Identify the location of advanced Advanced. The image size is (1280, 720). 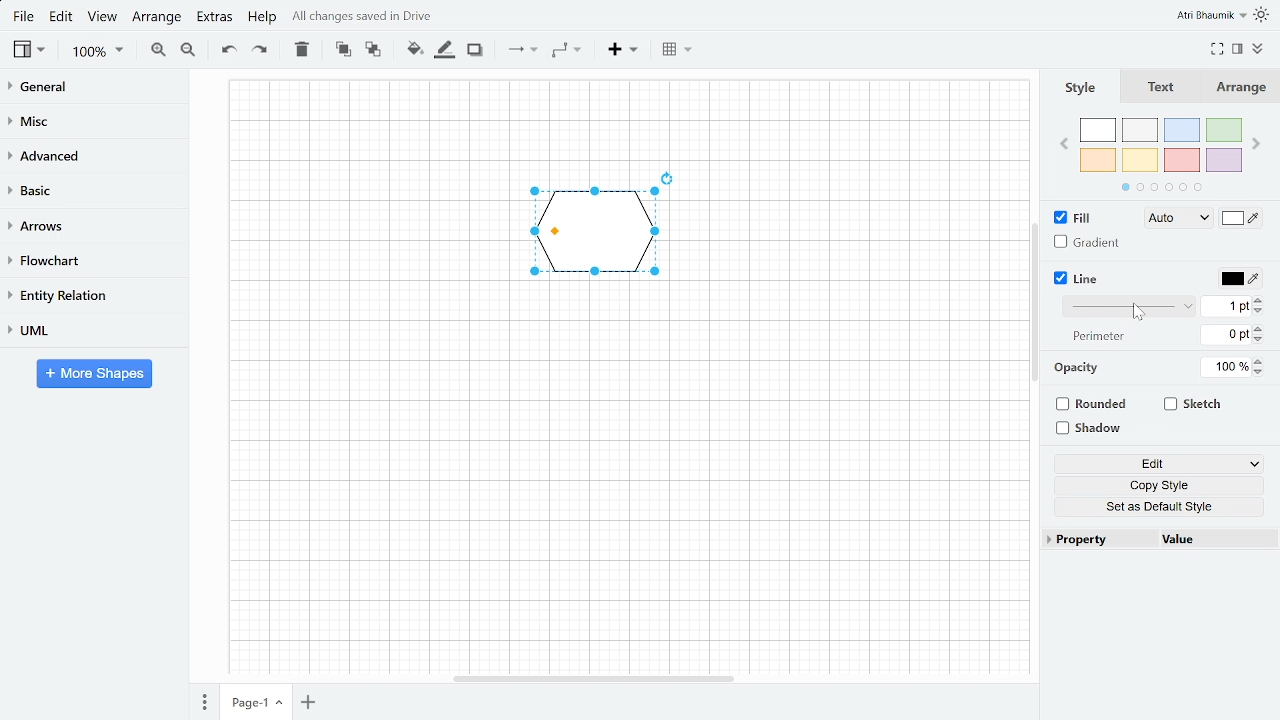
(94, 155).